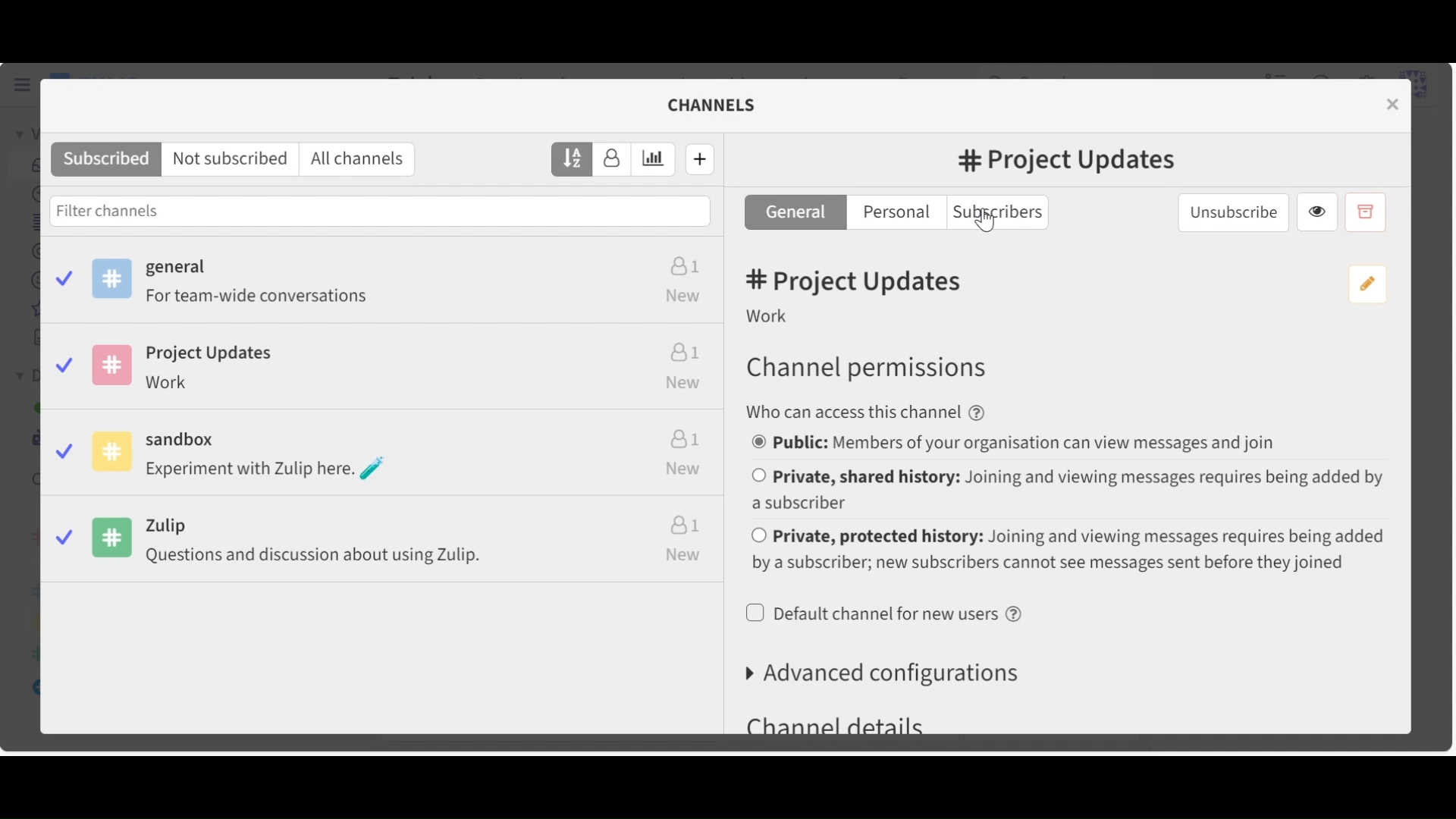 The image size is (1456, 819). Describe the element at coordinates (986, 227) in the screenshot. I see `Cursor` at that location.